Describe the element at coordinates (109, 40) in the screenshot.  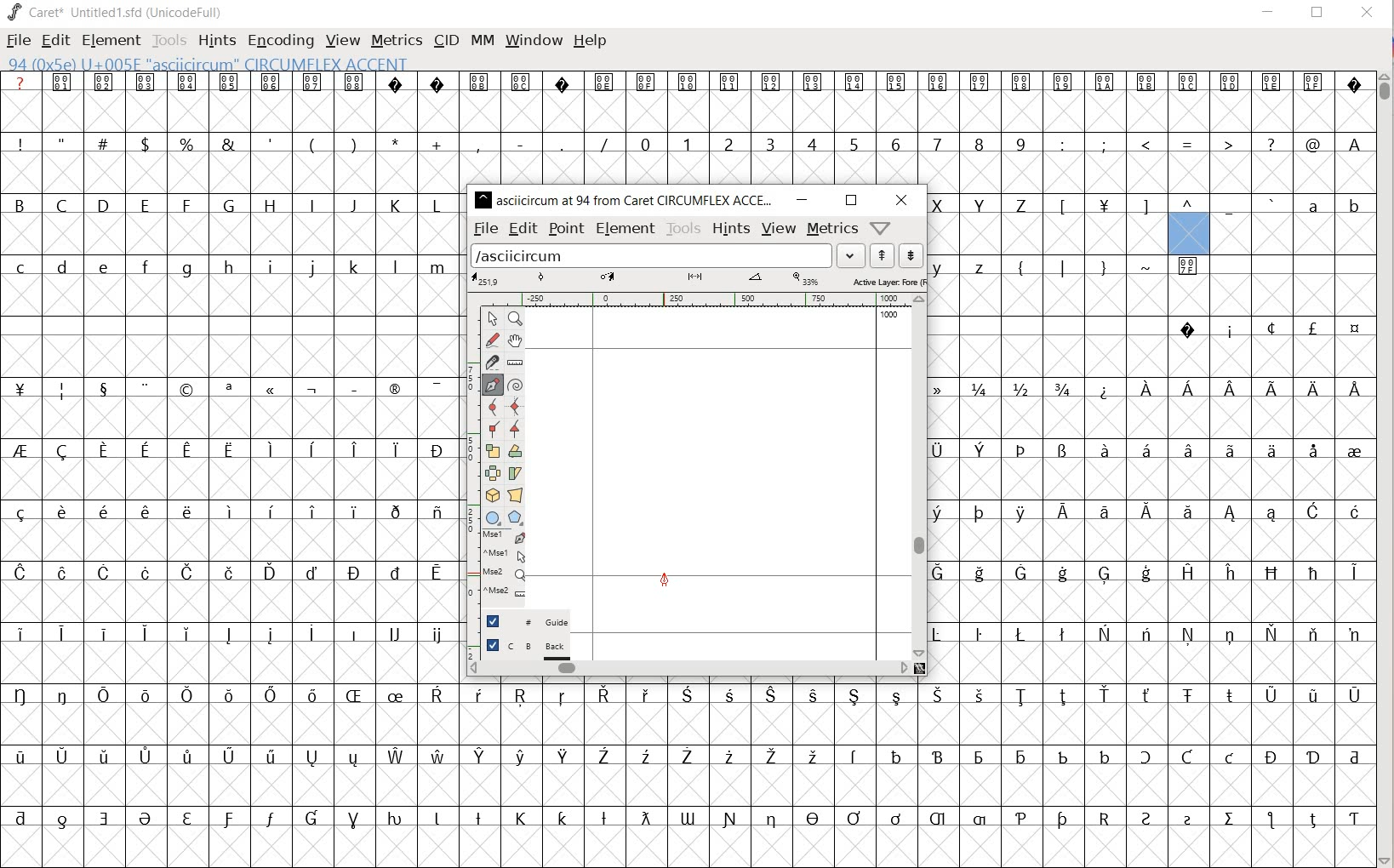
I see `ELEMENT` at that location.